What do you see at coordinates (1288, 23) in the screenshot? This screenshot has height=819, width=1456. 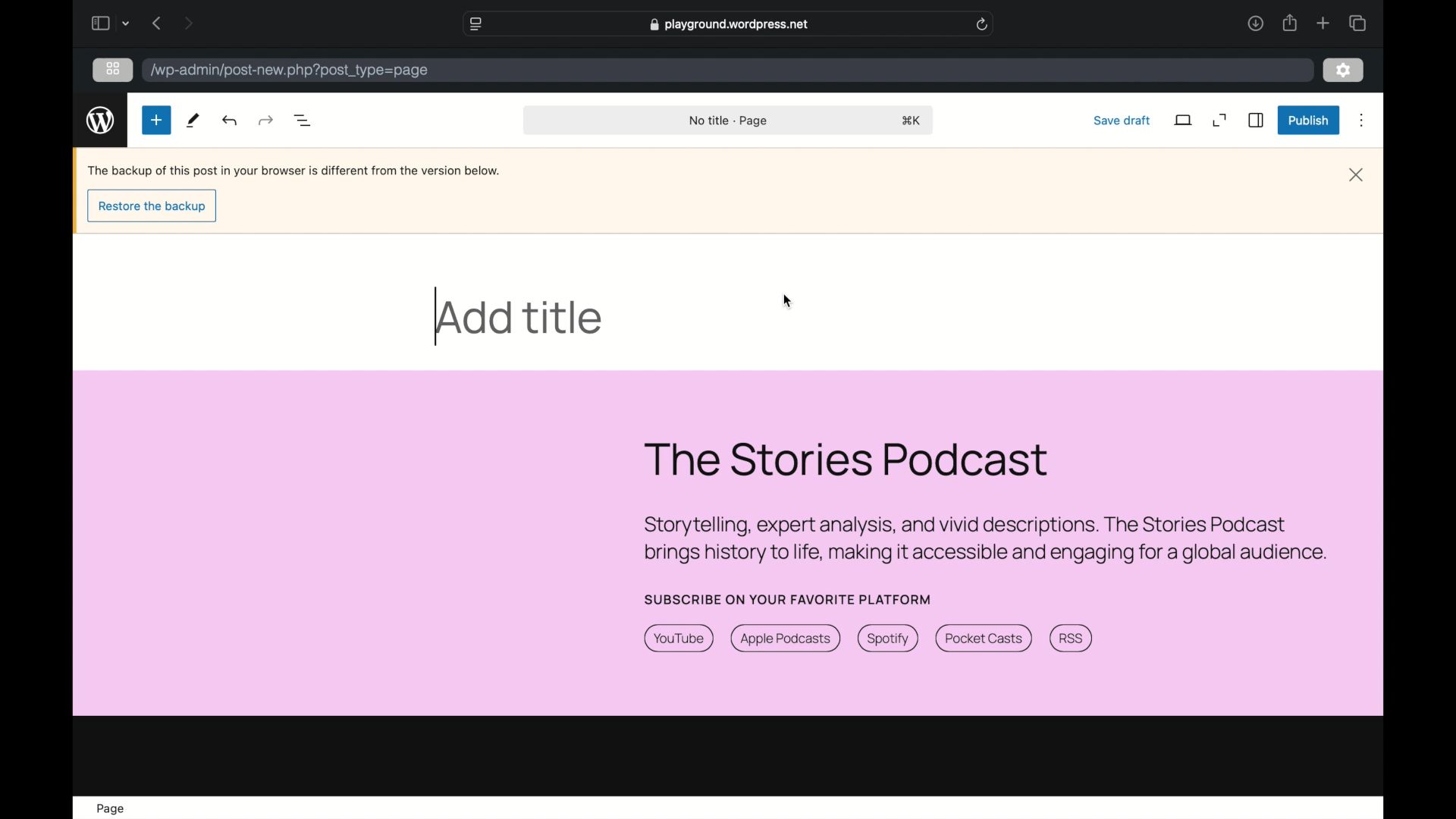 I see `share` at bounding box center [1288, 23].